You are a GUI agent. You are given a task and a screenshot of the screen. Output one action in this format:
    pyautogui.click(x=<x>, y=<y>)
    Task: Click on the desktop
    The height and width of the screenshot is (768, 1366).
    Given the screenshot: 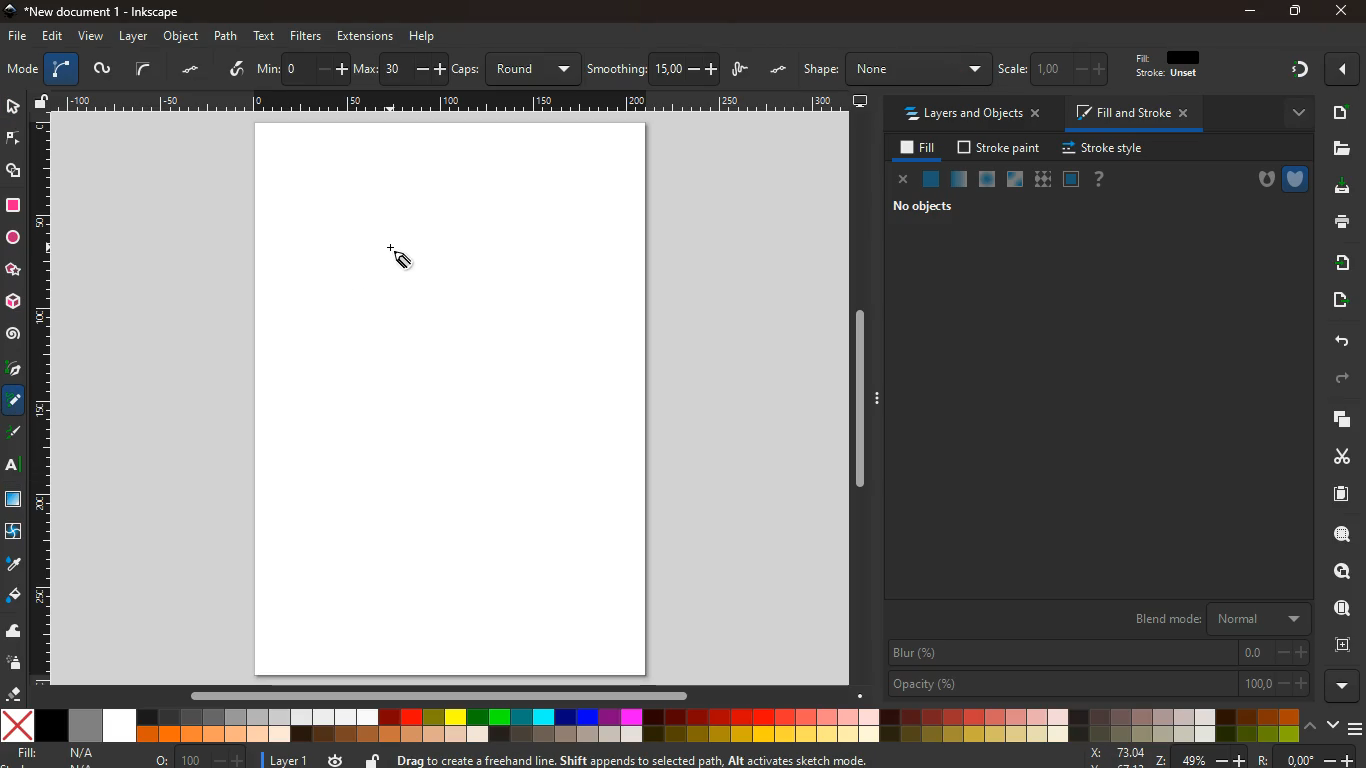 What is the action you would take?
    pyautogui.click(x=861, y=102)
    